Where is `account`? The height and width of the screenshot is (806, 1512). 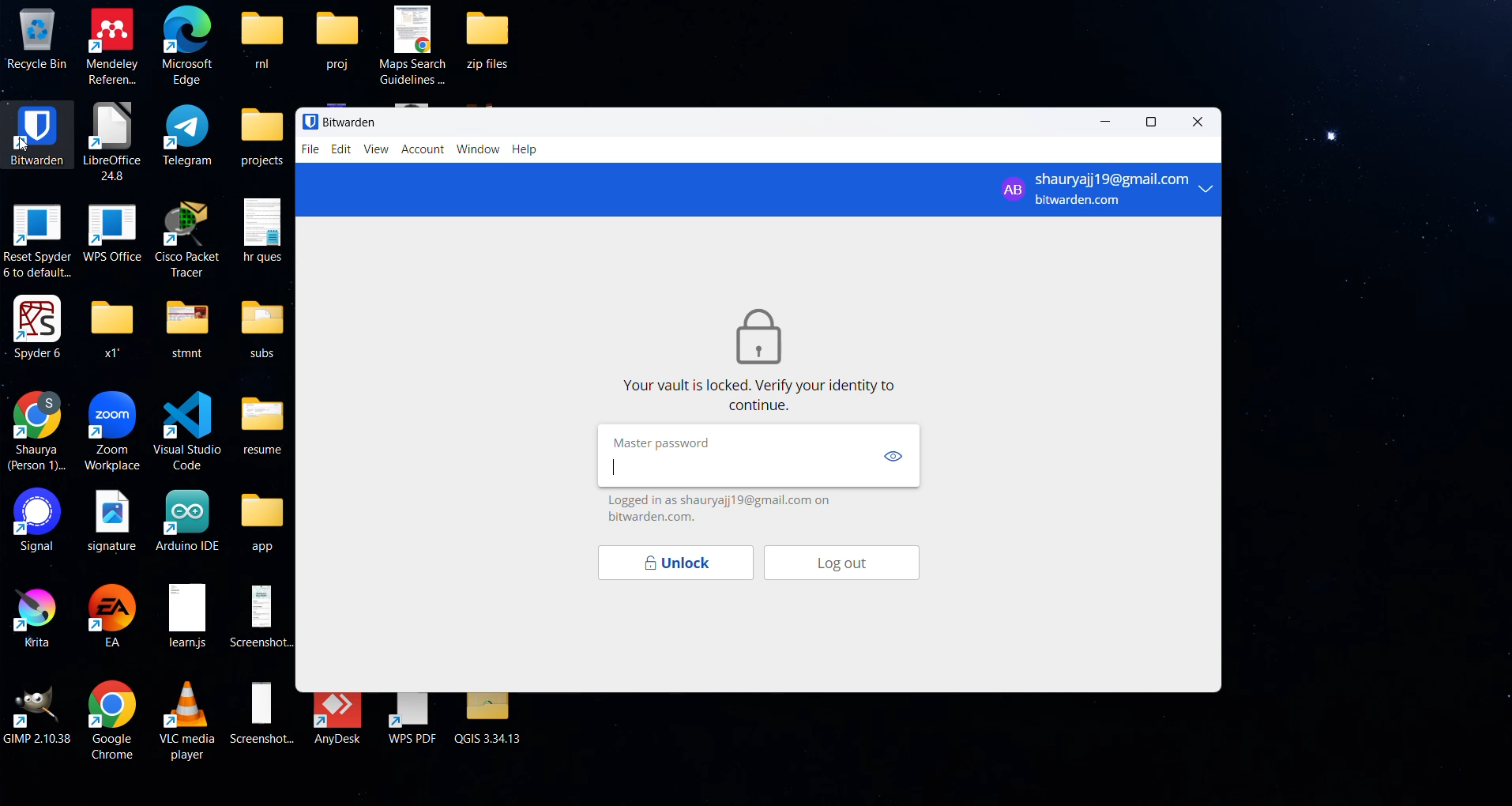 account is located at coordinates (425, 150).